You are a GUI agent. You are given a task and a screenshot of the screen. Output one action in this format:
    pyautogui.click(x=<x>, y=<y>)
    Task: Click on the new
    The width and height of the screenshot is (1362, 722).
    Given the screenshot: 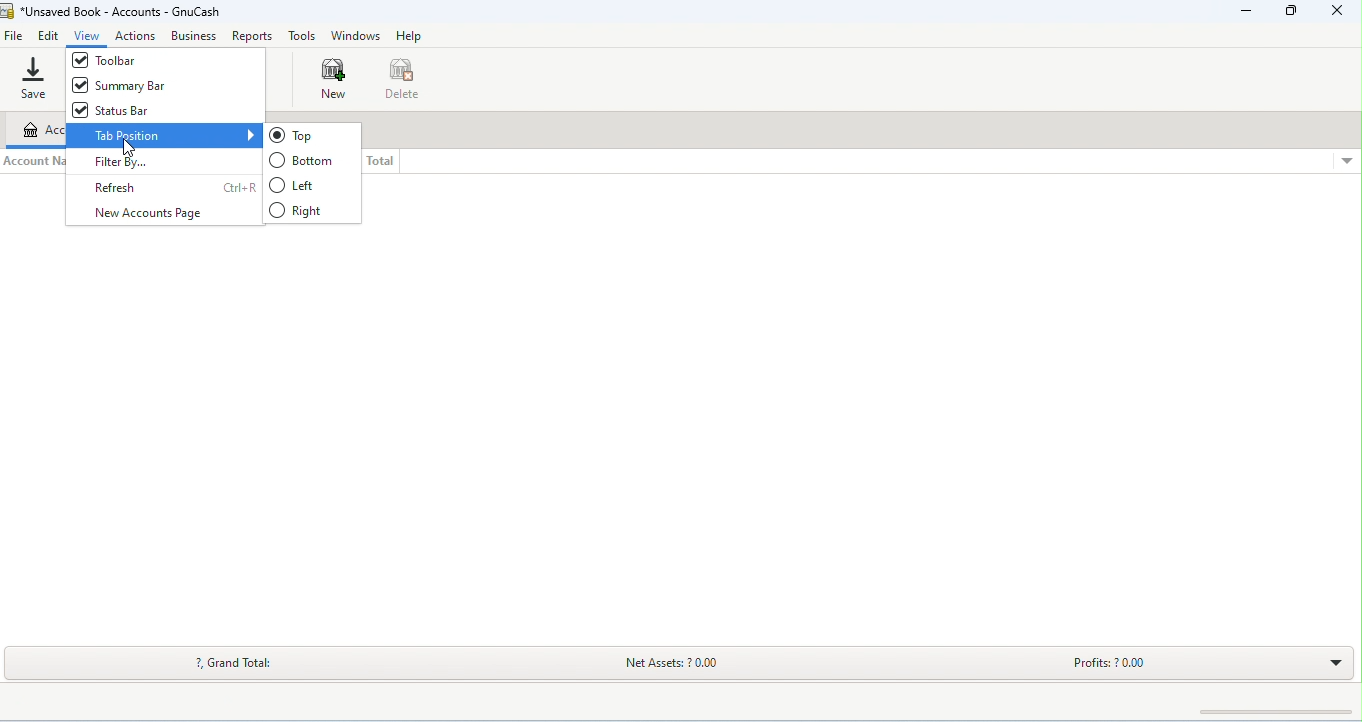 What is the action you would take?
    pyautogui.click(x=339, y=79)
    